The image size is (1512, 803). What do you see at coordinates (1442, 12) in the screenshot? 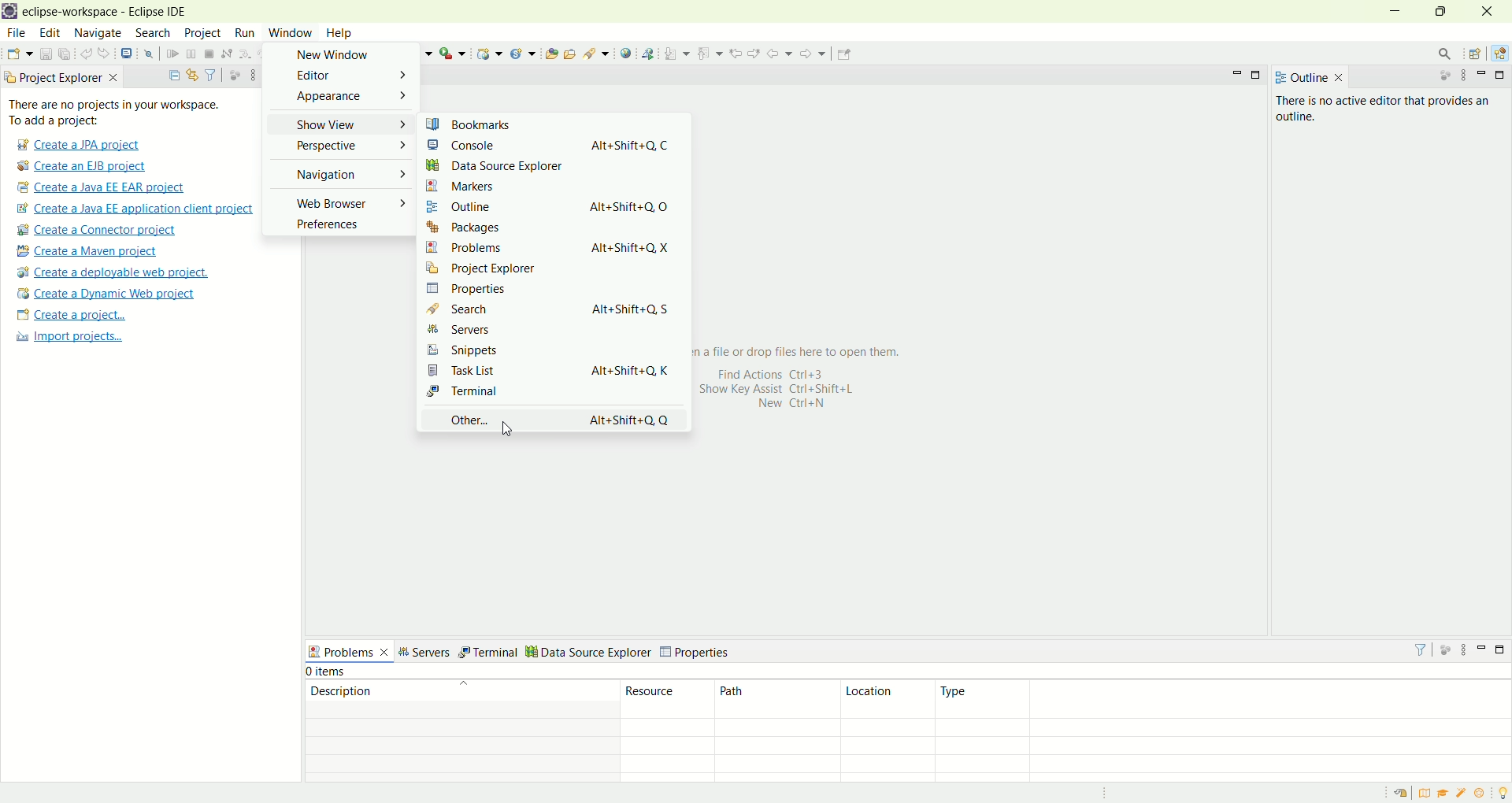
I see `maximize` at bounding box center [1442, 12].